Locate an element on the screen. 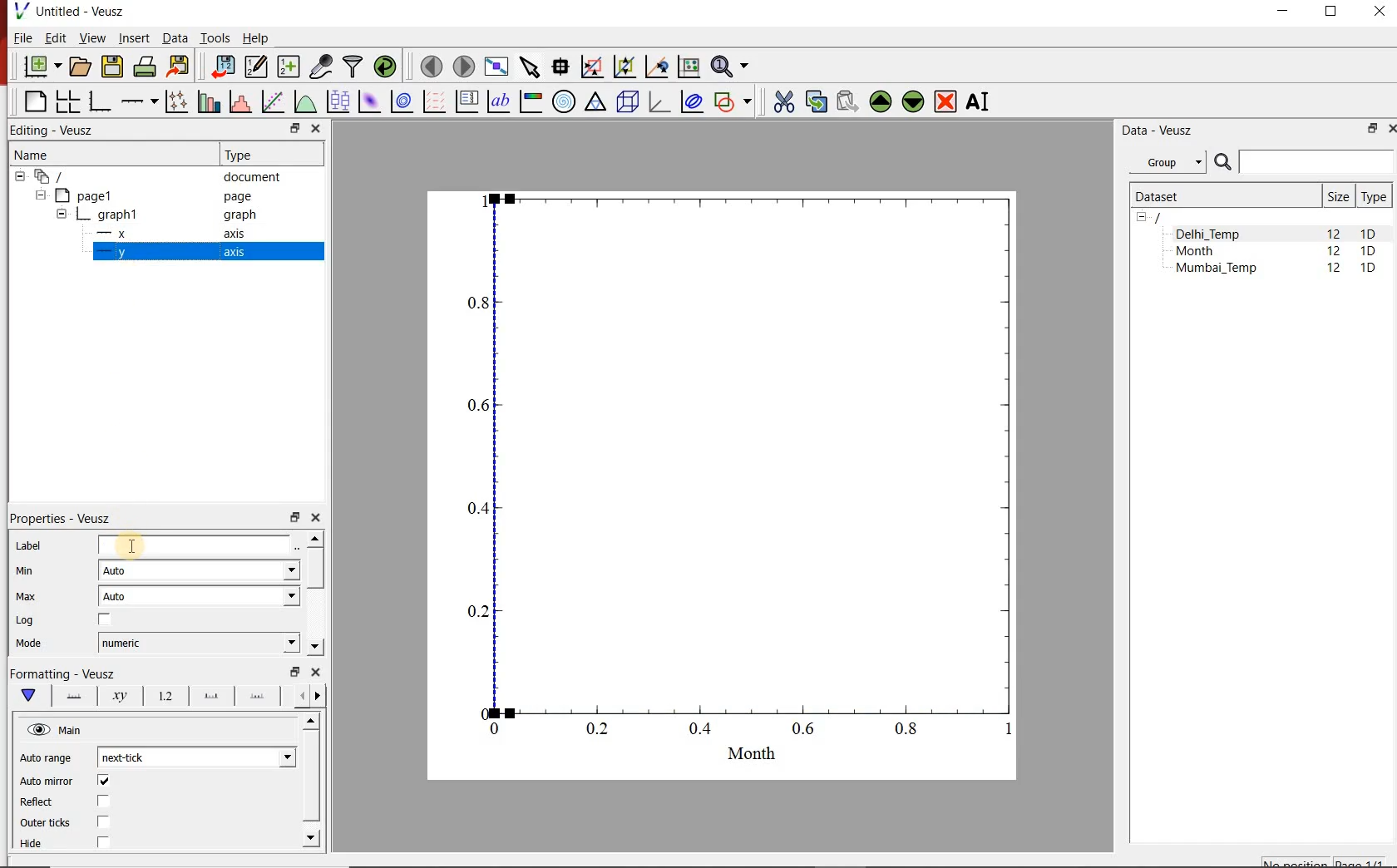 The image size is (1397, 868). polar graph is located at coordinates (565, 103).